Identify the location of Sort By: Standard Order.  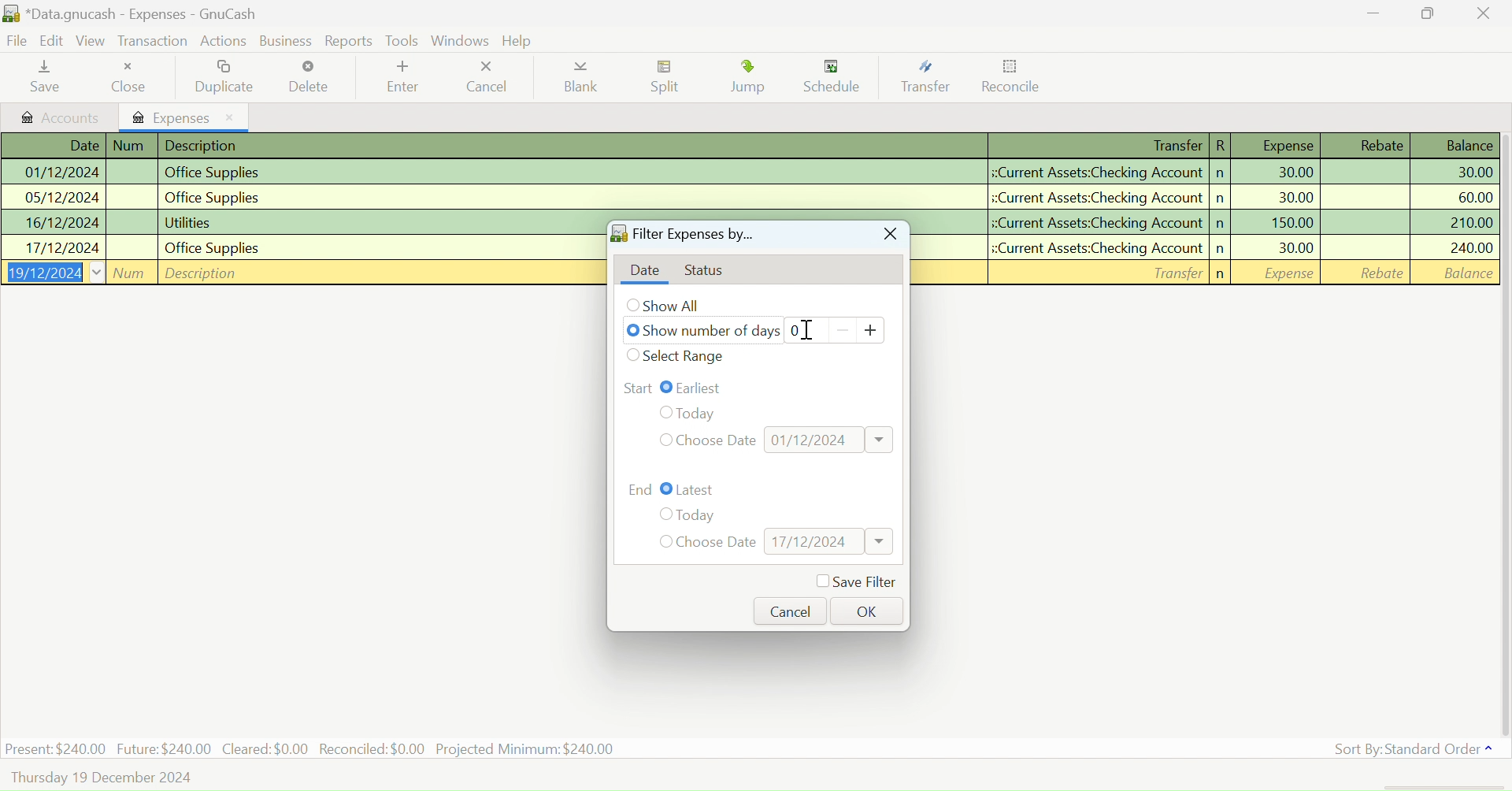
(1410, 749).